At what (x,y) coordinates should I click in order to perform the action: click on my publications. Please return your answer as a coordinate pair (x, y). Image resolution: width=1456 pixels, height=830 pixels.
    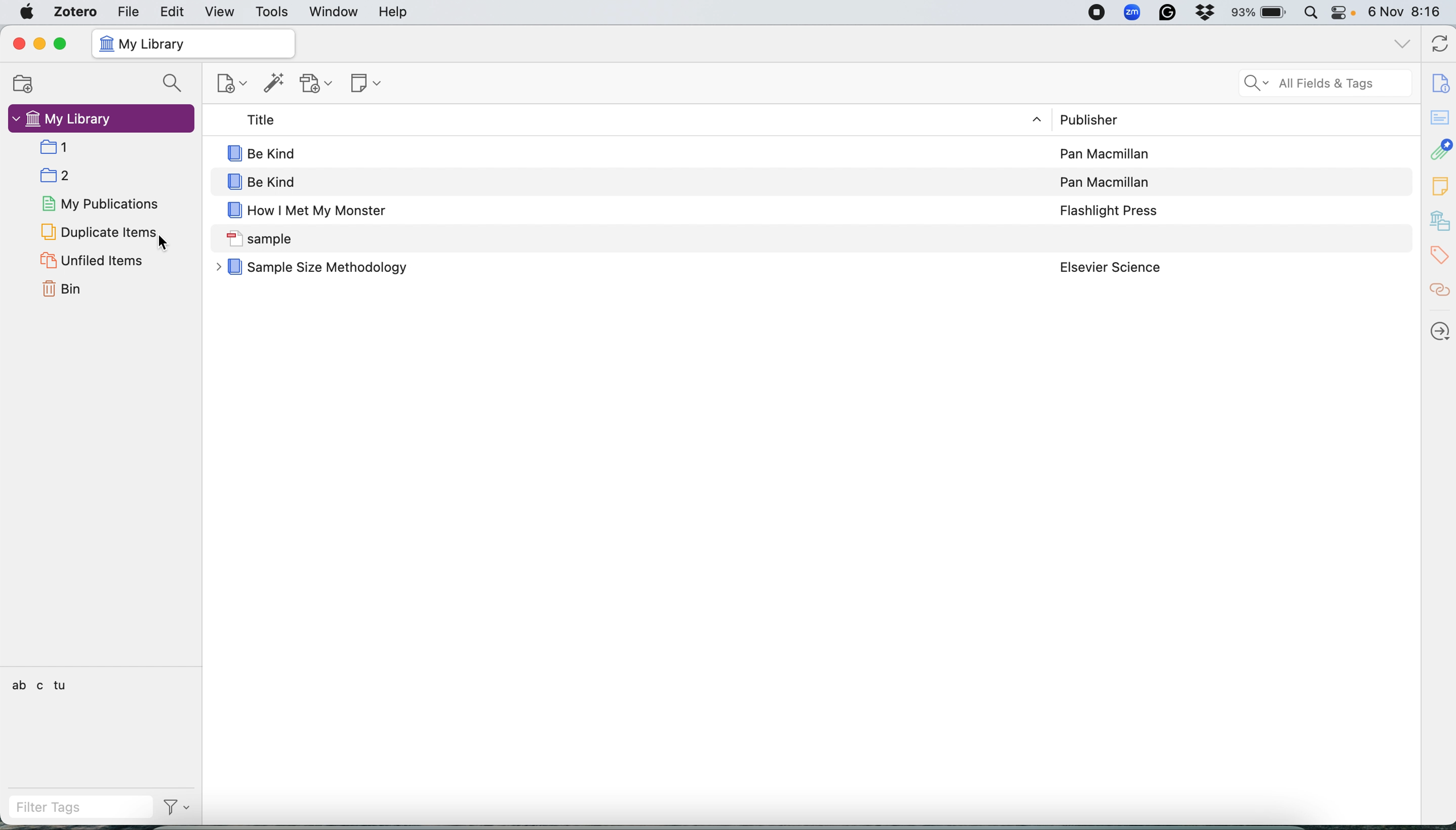
    Looking at the image, I should click on (101, 205).